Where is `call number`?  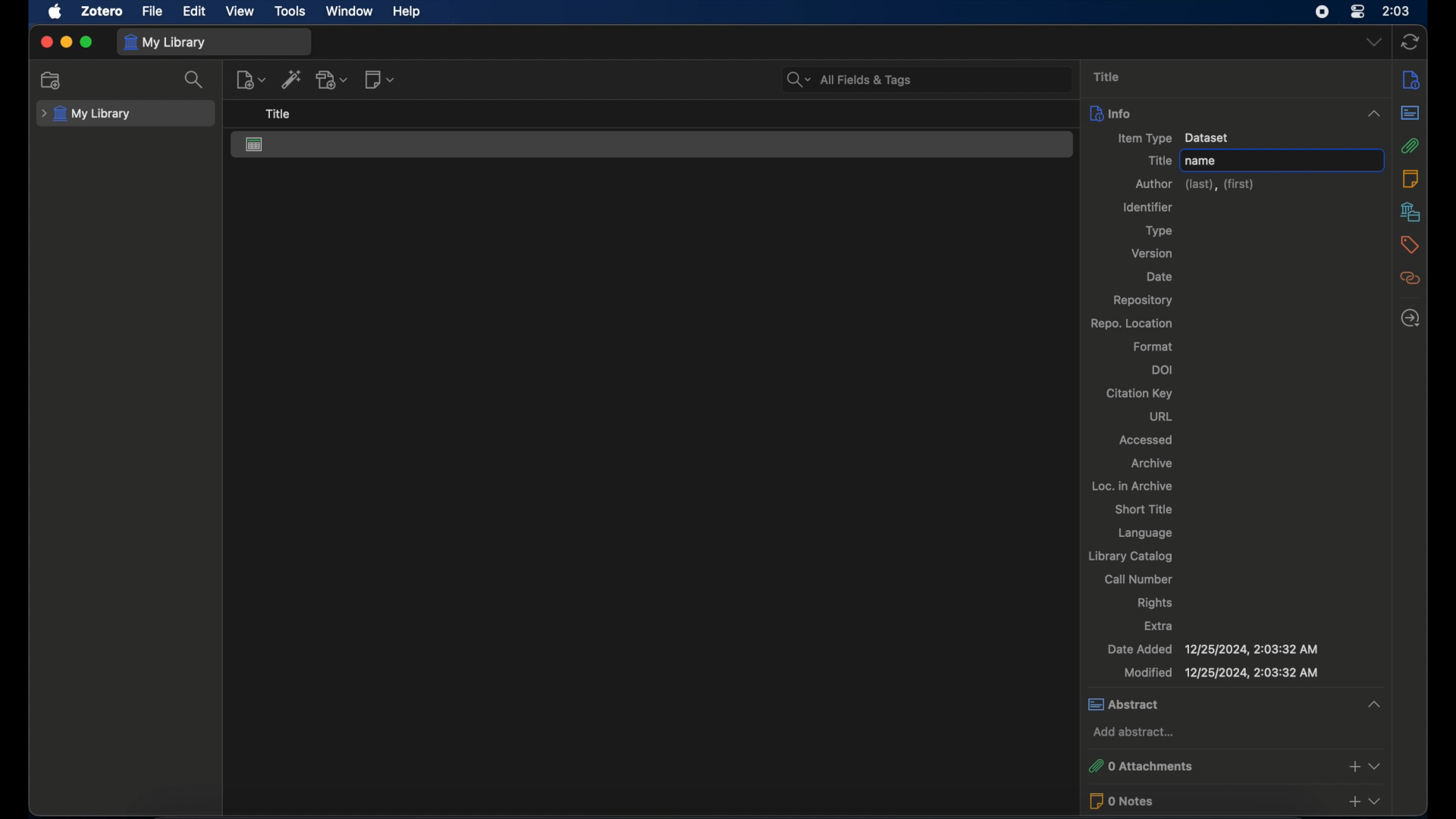 call number is located at coordinates (1138, 579).